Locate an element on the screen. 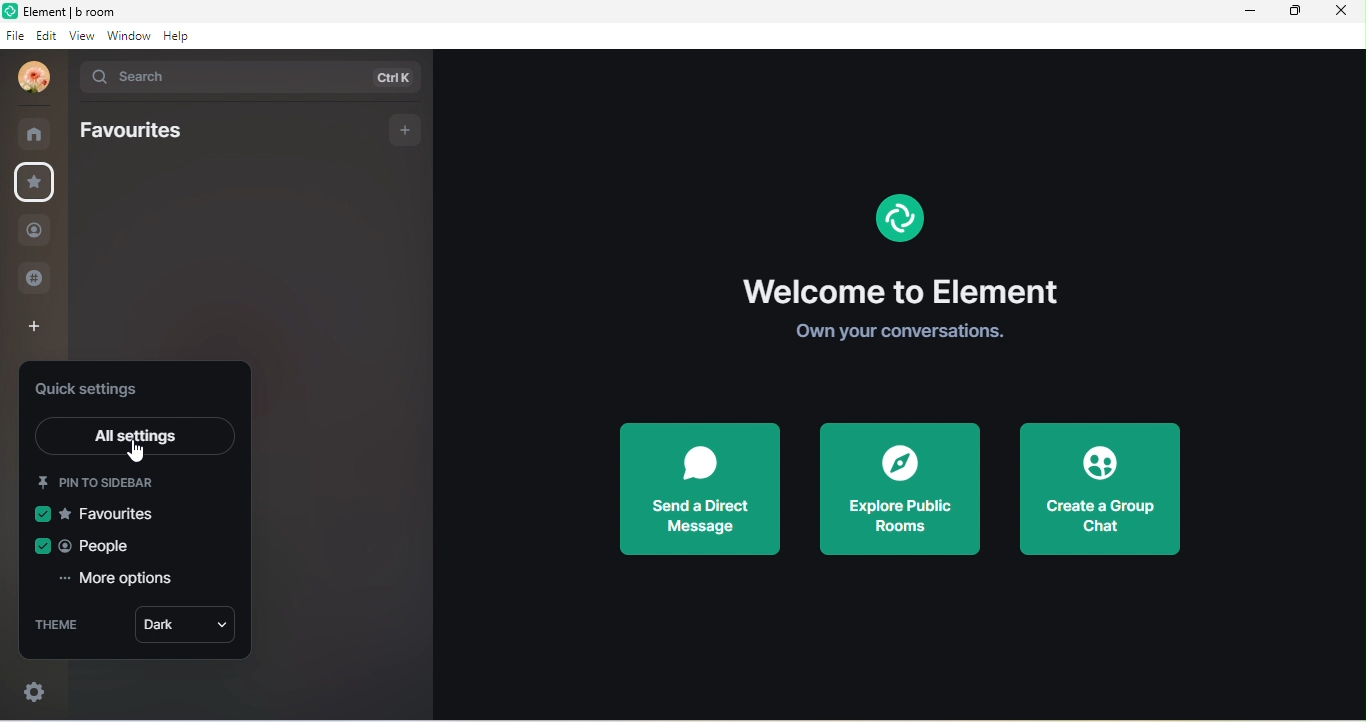 This screenshot has width=1366, height=722. edit is located at coordinates (47, 36).